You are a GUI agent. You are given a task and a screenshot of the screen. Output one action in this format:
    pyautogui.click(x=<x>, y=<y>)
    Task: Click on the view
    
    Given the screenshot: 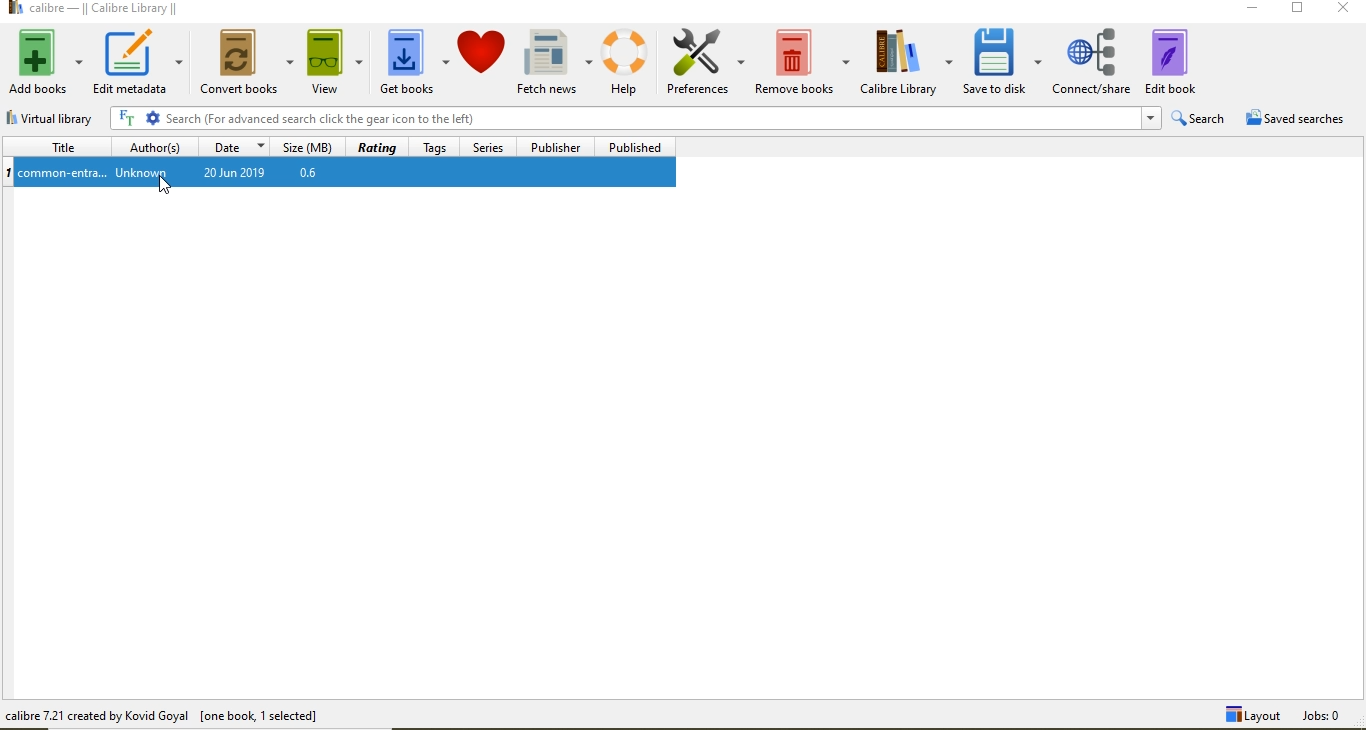 What is the action you would take?
    pyautogui.click(x=335, y=61)
    